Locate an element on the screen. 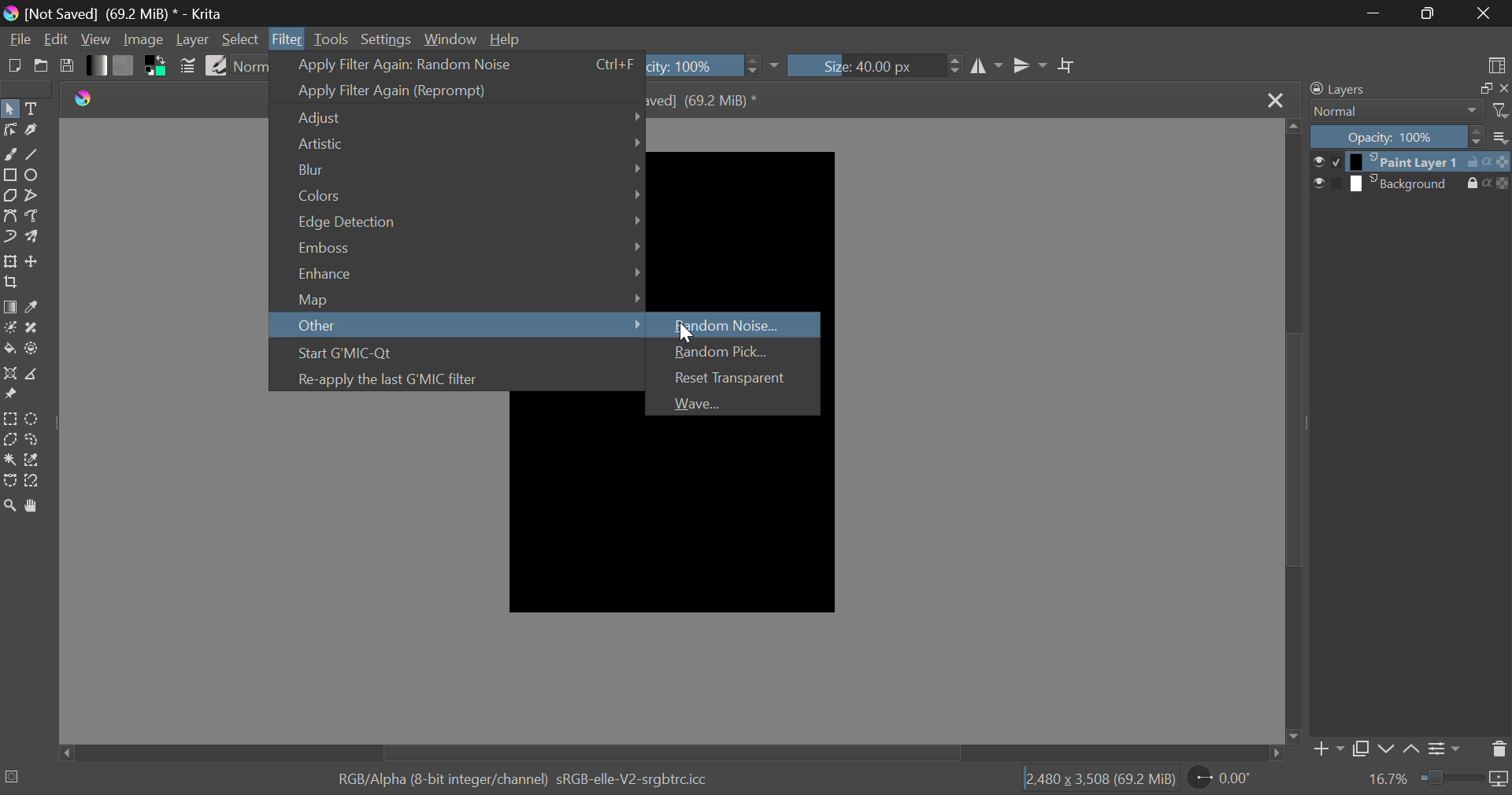 The height and width of the screenshot is (795, 1512). rgb/alpha (8-bit integer/channel) srgb-elle-v2-srgbtrc.icc is located at coordinates (531, 781).